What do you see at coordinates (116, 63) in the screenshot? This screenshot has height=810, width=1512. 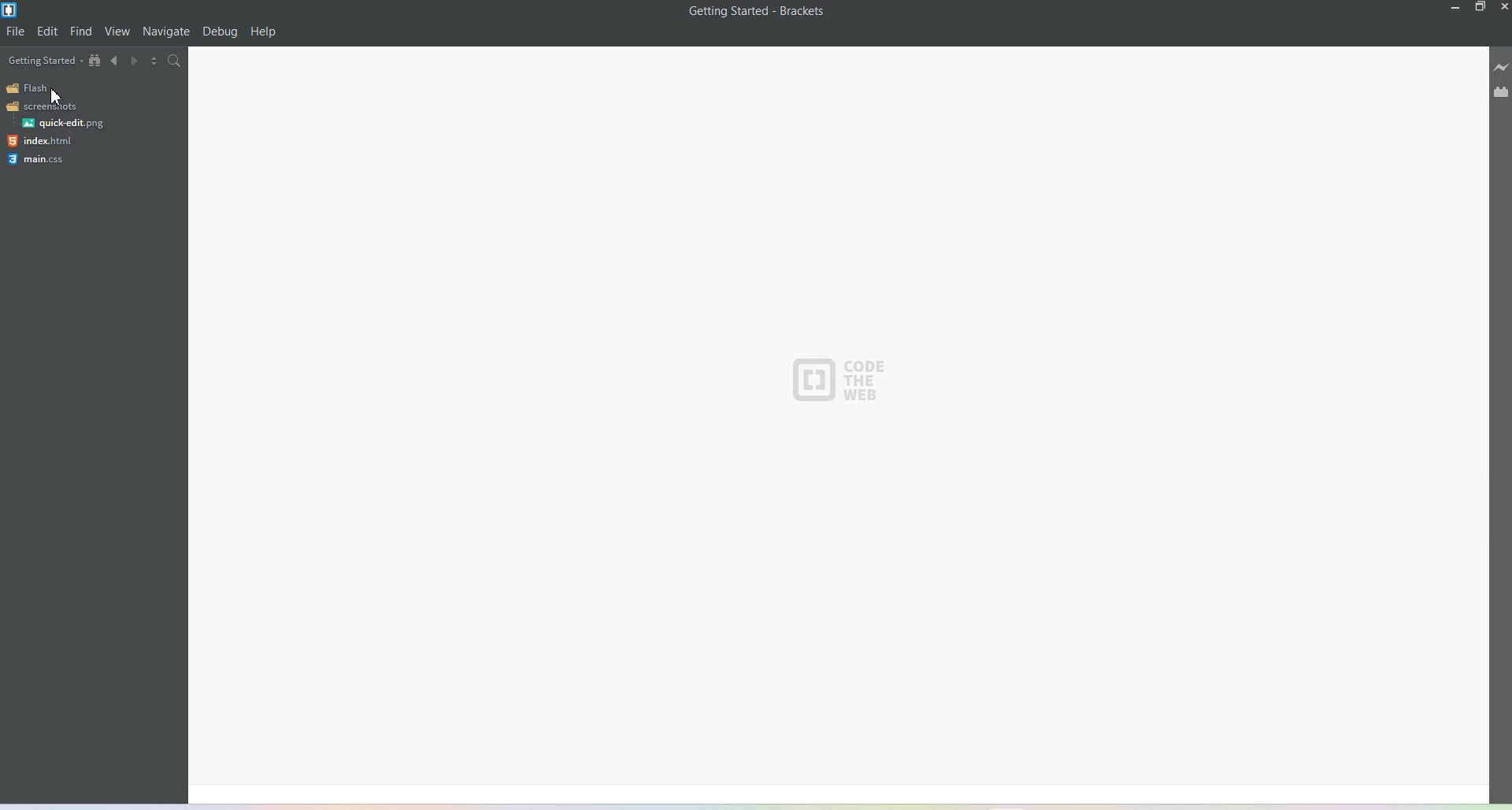 I see `Navigate Backwards` at bounding box center [116, 63].